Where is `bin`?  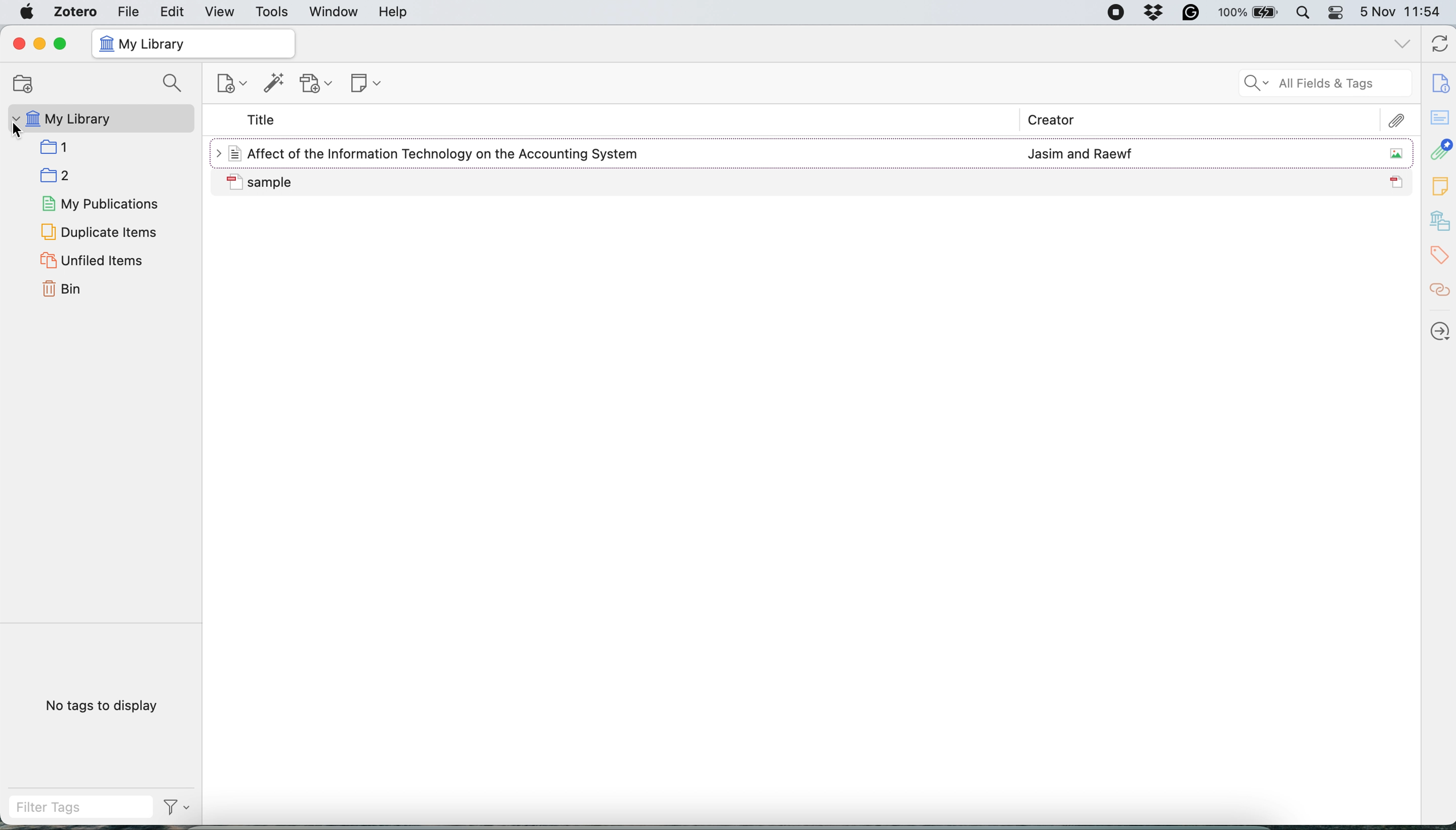 bin is located at coordinates (60, 291).